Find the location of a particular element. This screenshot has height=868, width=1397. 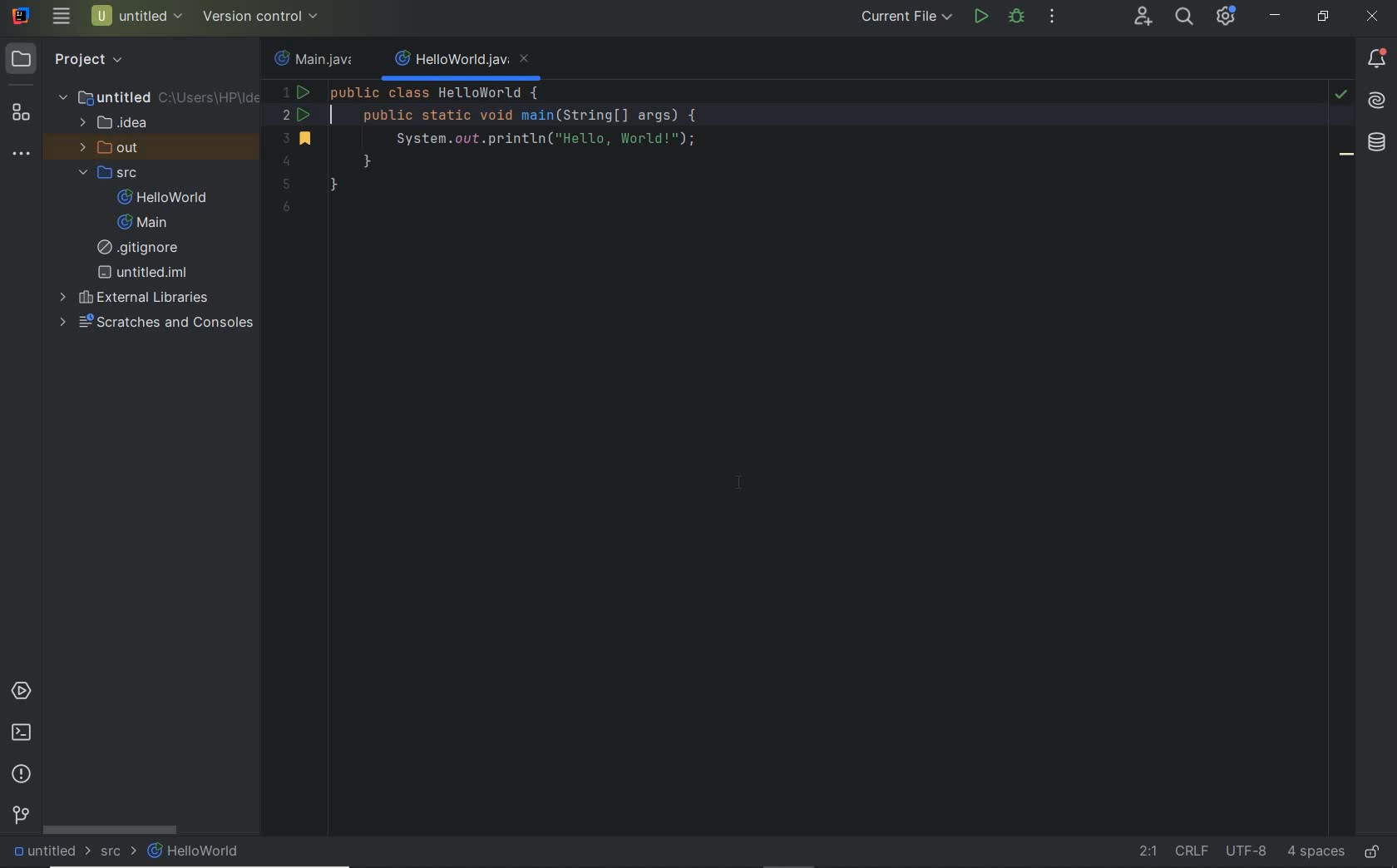

debug is located at coordinates (1016, 16).